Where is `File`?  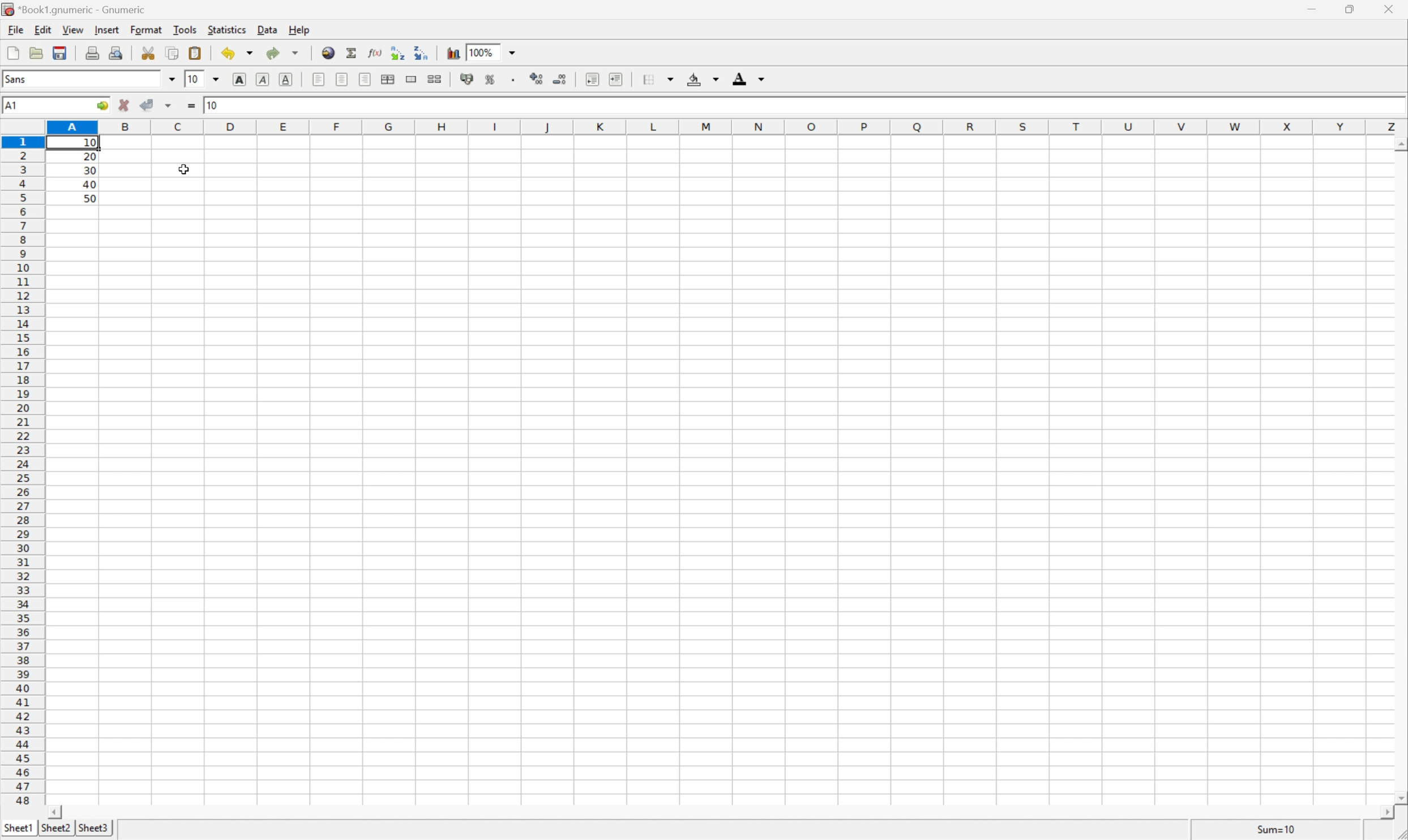 File is located at coordinates (16, 29).